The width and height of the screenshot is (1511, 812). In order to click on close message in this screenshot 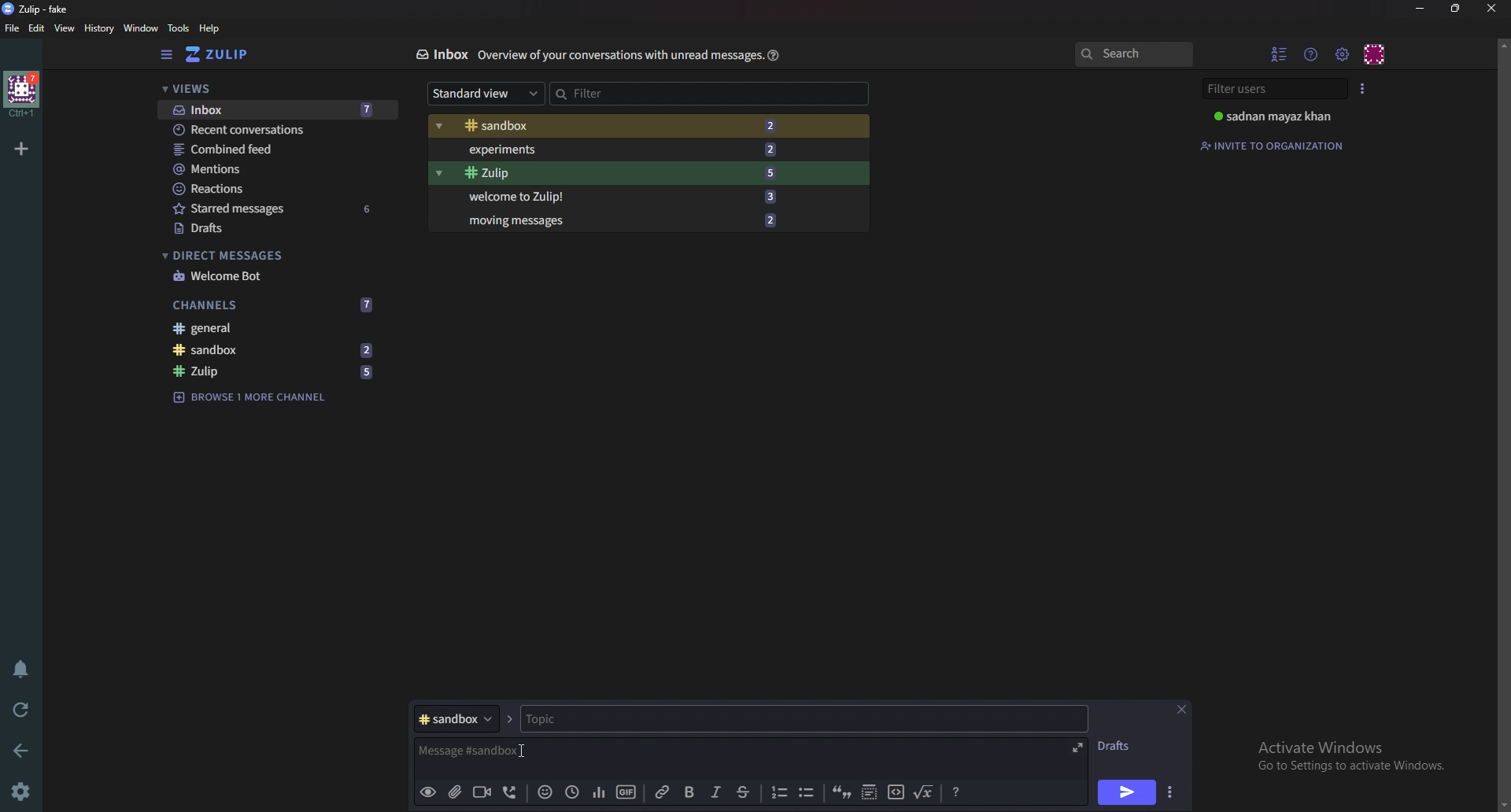, I will do `click(1182, 709)`.